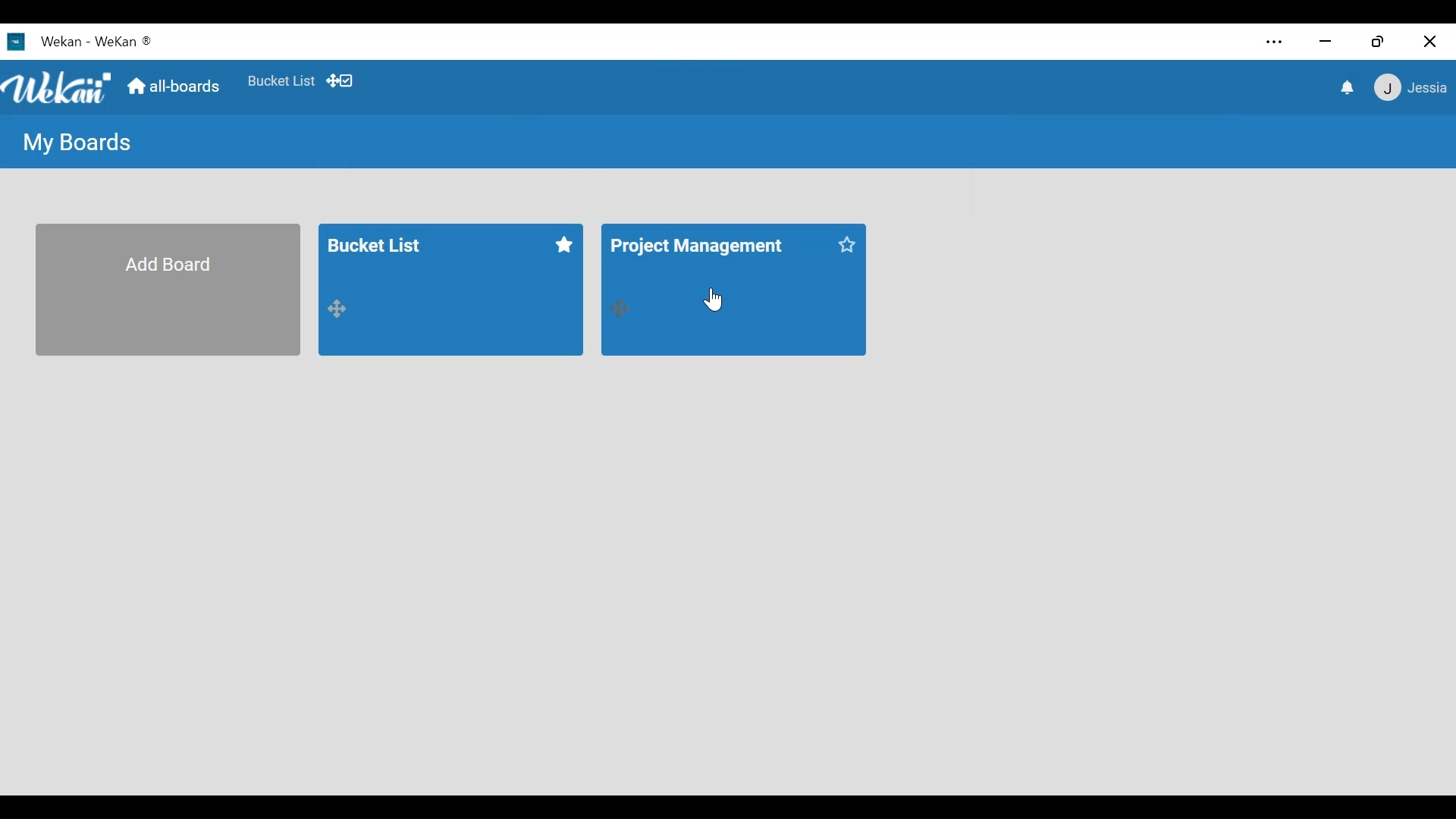  I want to click on mark as favorite, so click(567, 244).